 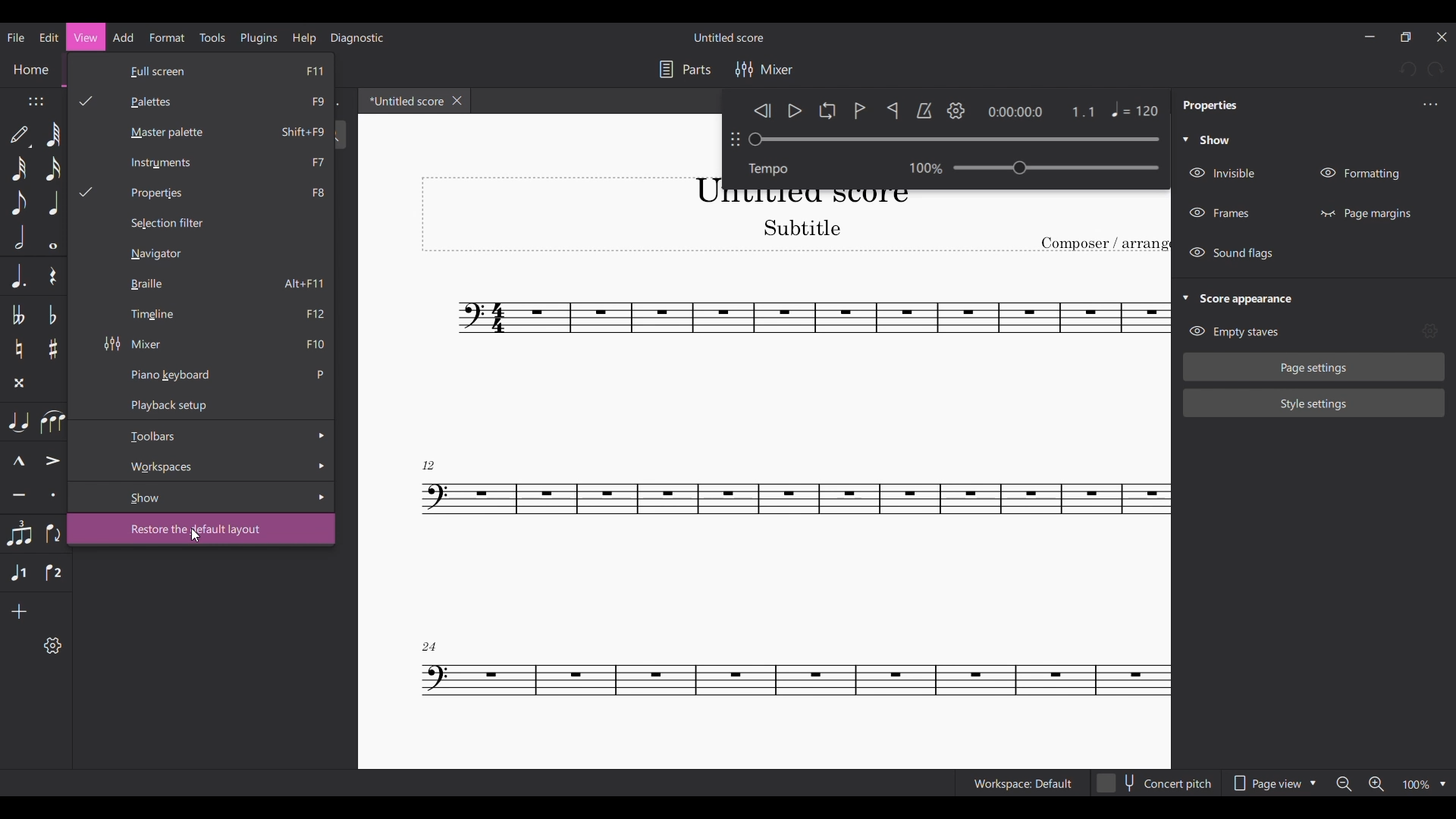 I want to click on Diagnostic, so click(x=358, y=38).